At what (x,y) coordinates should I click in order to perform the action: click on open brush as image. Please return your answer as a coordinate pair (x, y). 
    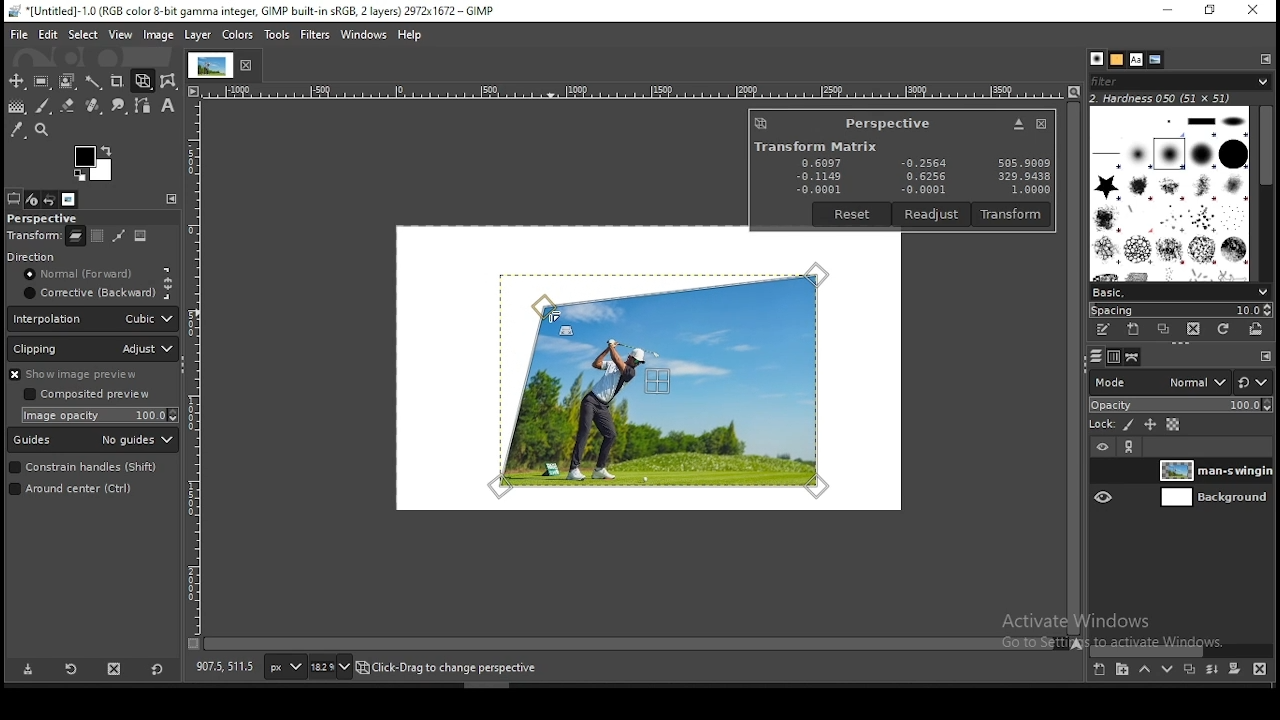
    Looking at the image, I should click on (1256, 329).